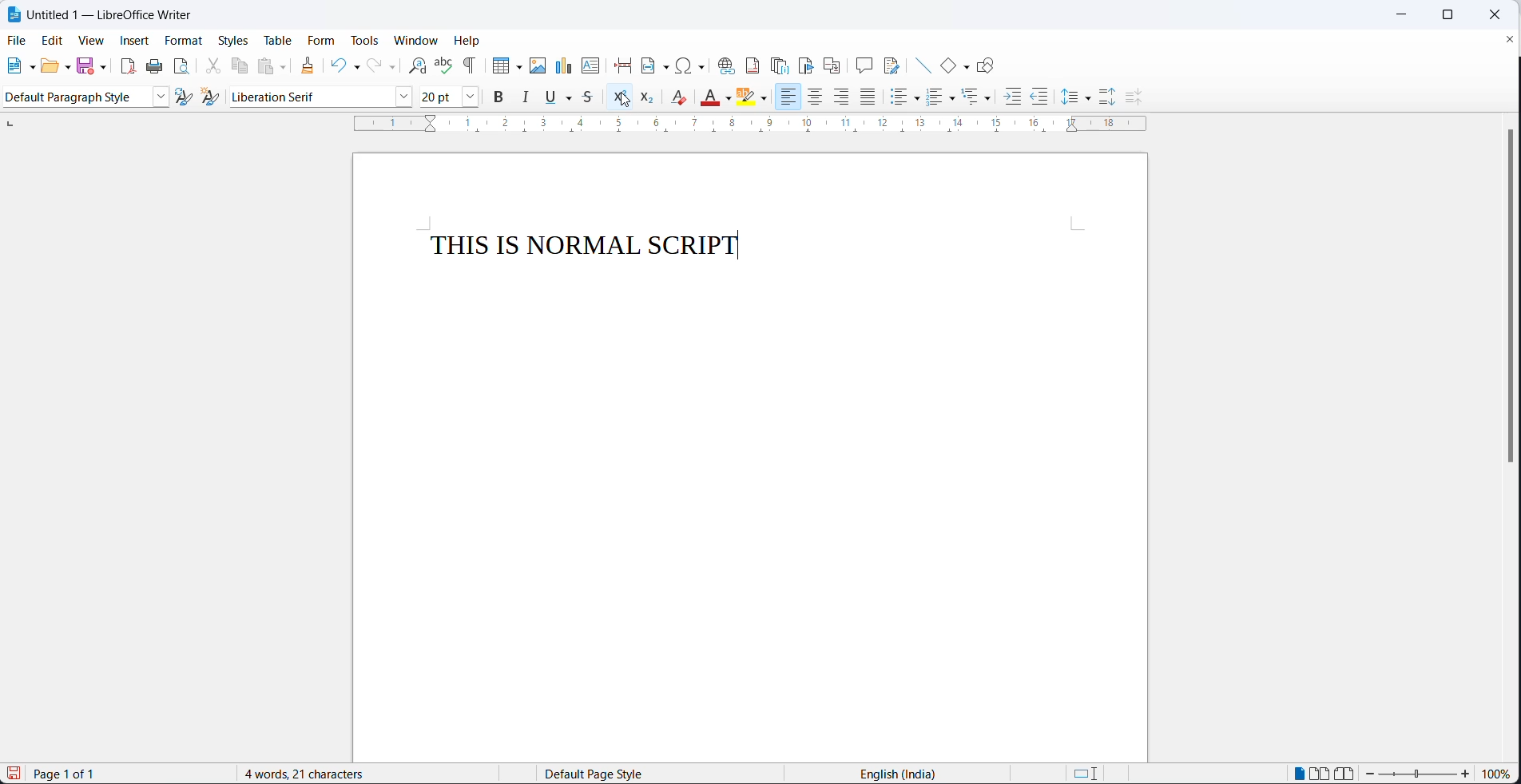  What do you see at coordinates (133, 42) in the screenshot?
I see `insert ` at bounding box center [133, 42].